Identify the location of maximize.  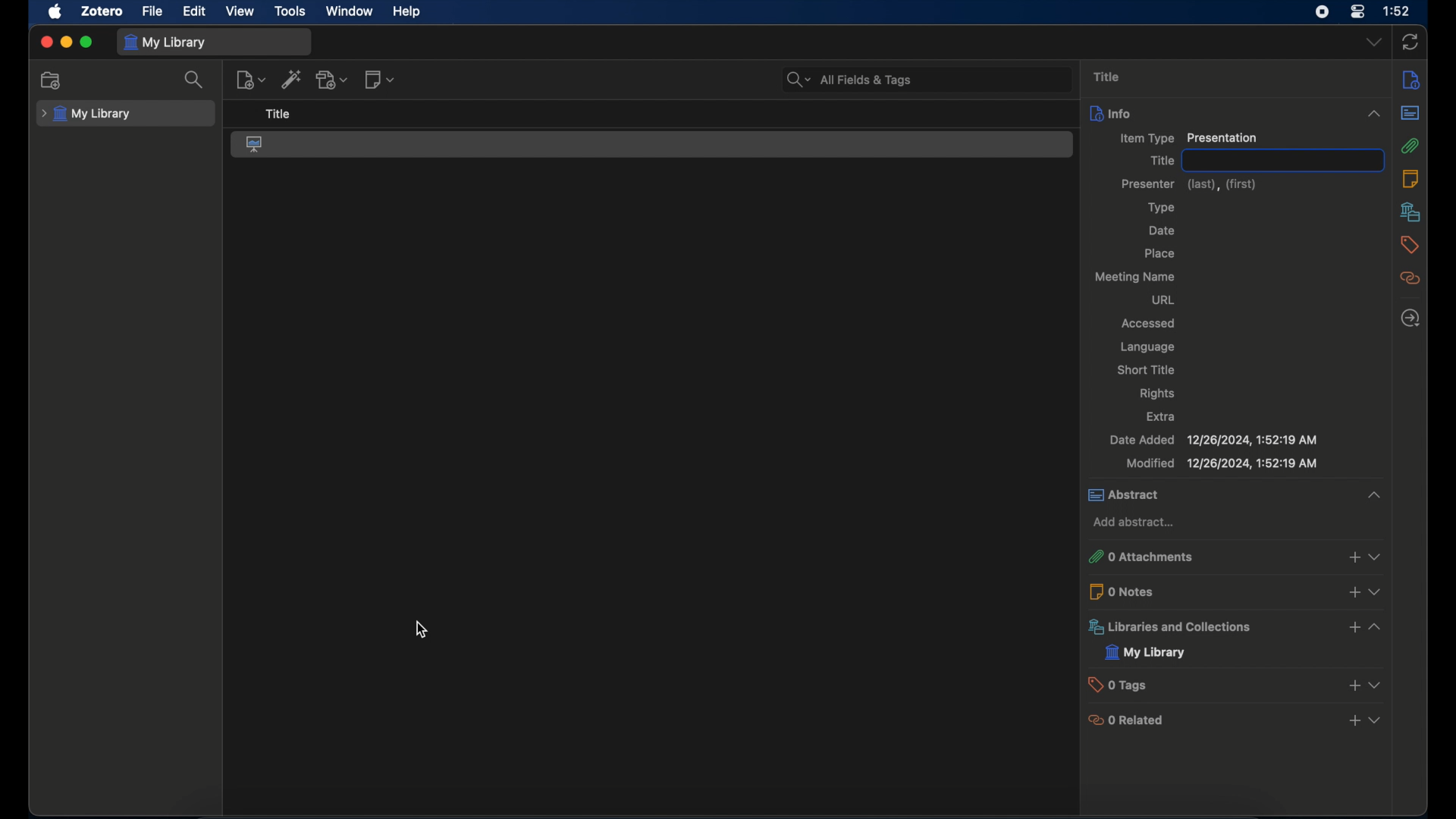
(86, 42).